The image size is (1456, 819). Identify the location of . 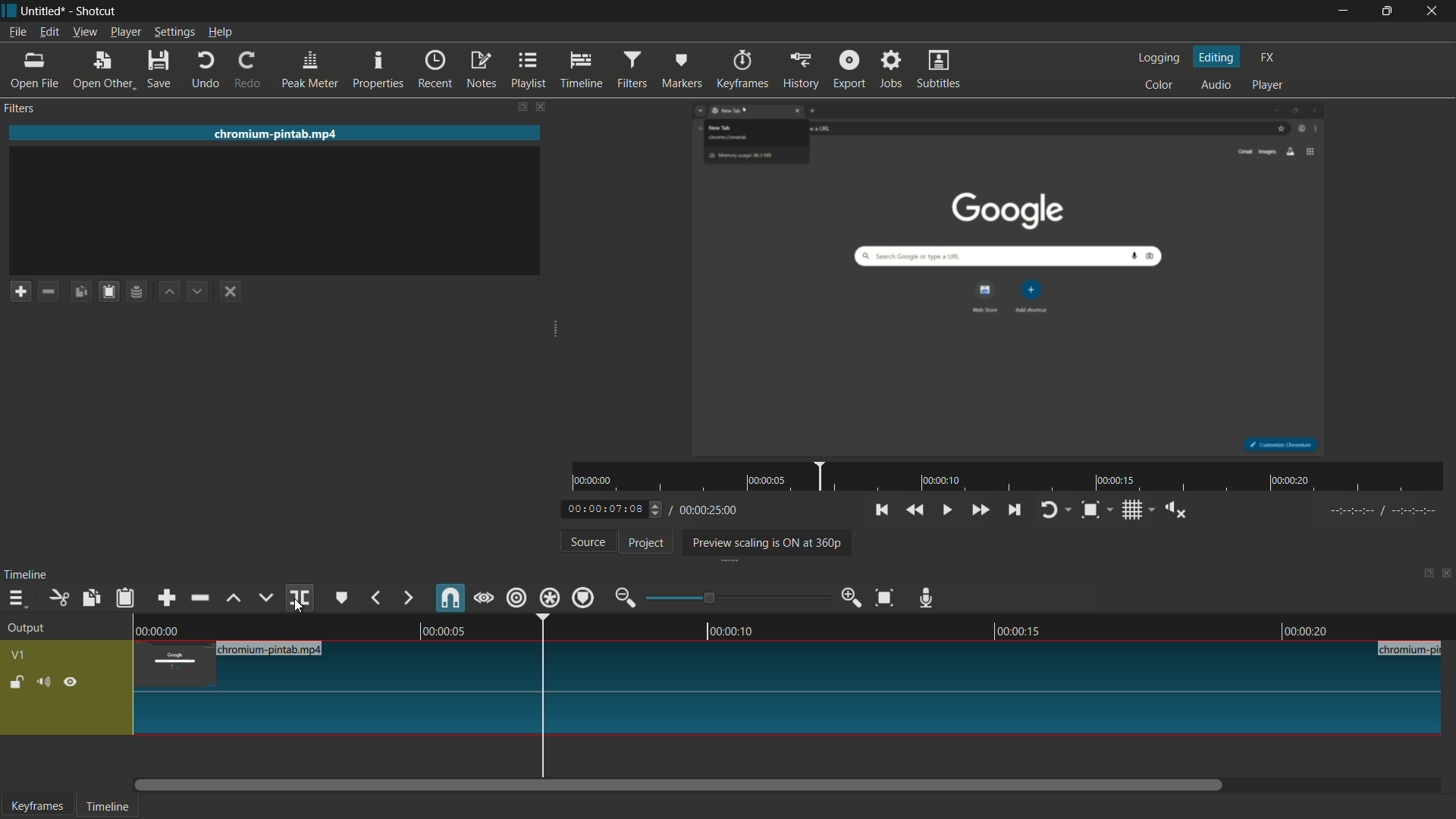
(1267, 55).